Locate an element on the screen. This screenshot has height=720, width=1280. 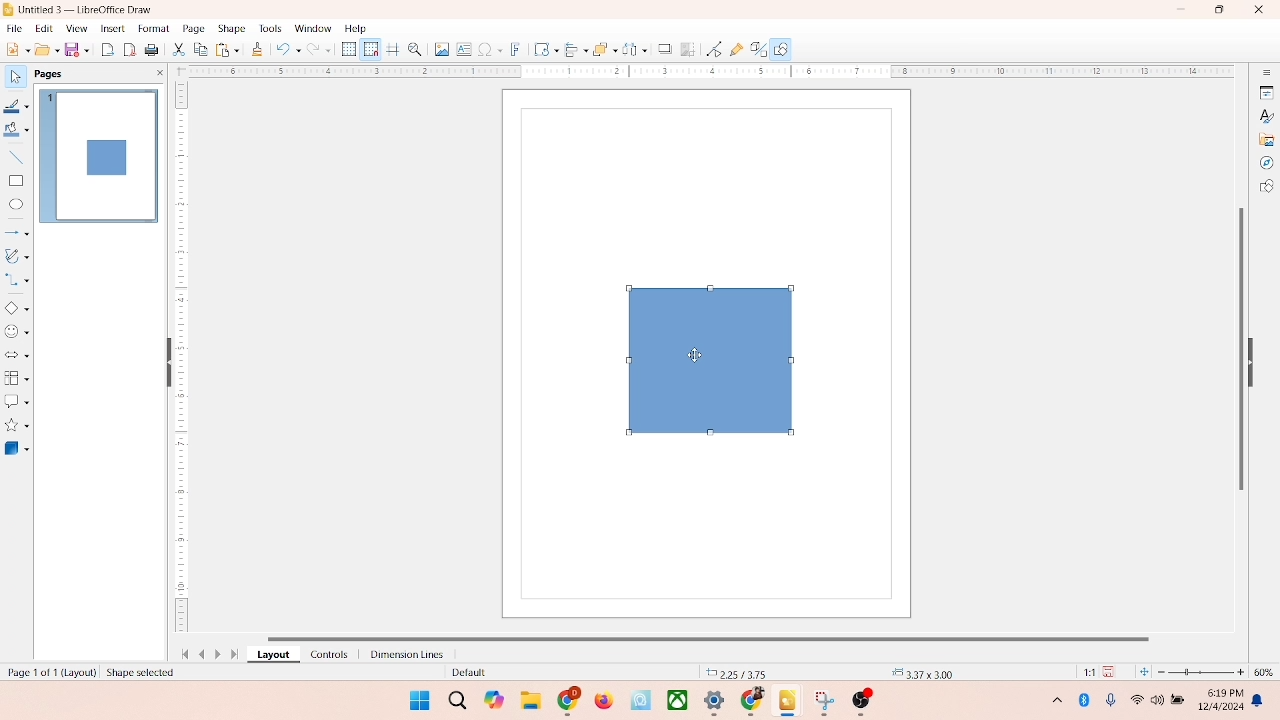
helplines is located at coordinates (392, 50).